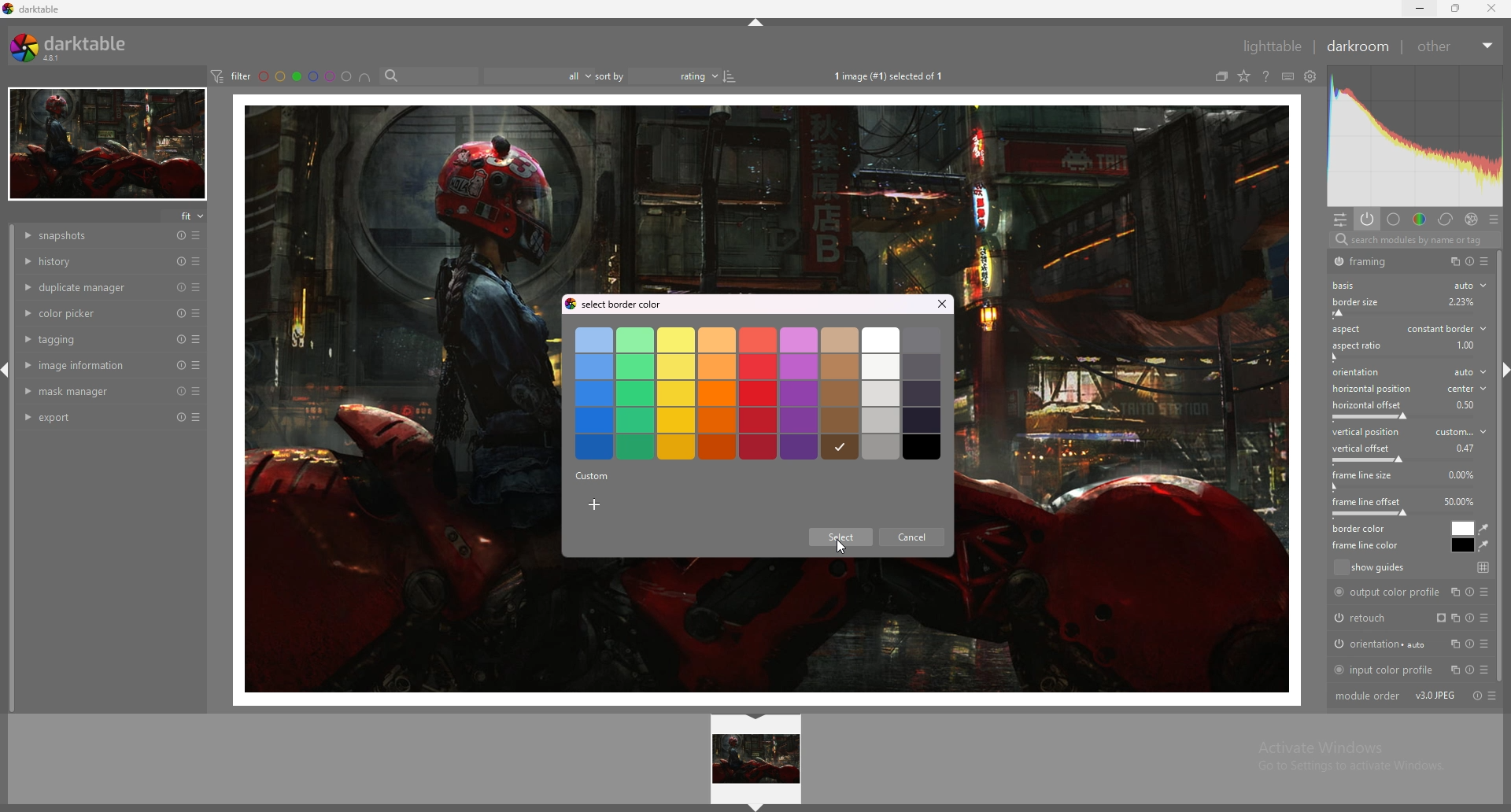 The width and height of the screenshot is (1511, 812). Describe the element at coordinates (181, 236) in the screenshot. I see `reset` at that location.